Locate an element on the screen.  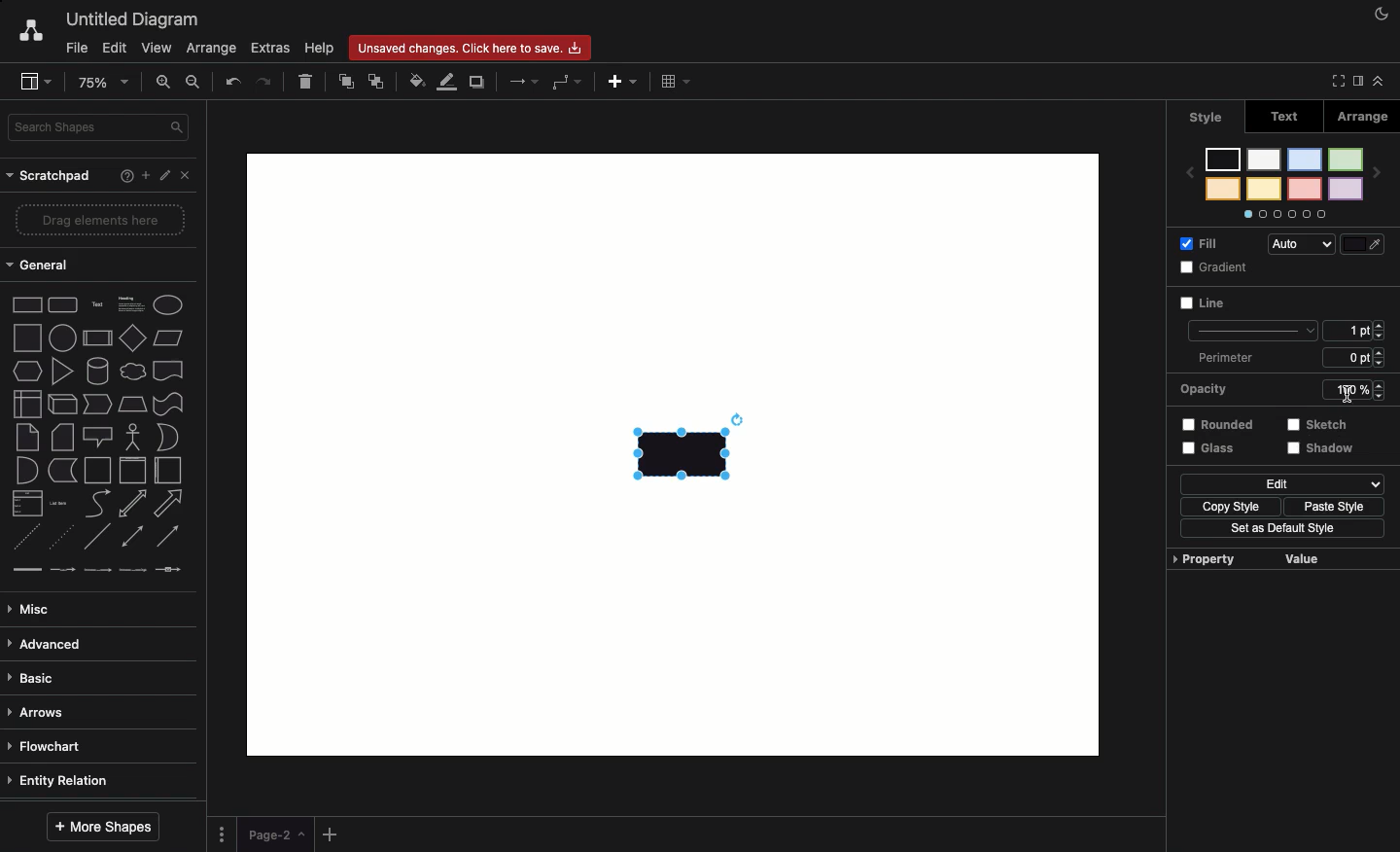
color 2 is located at coordinates (1346, 189).